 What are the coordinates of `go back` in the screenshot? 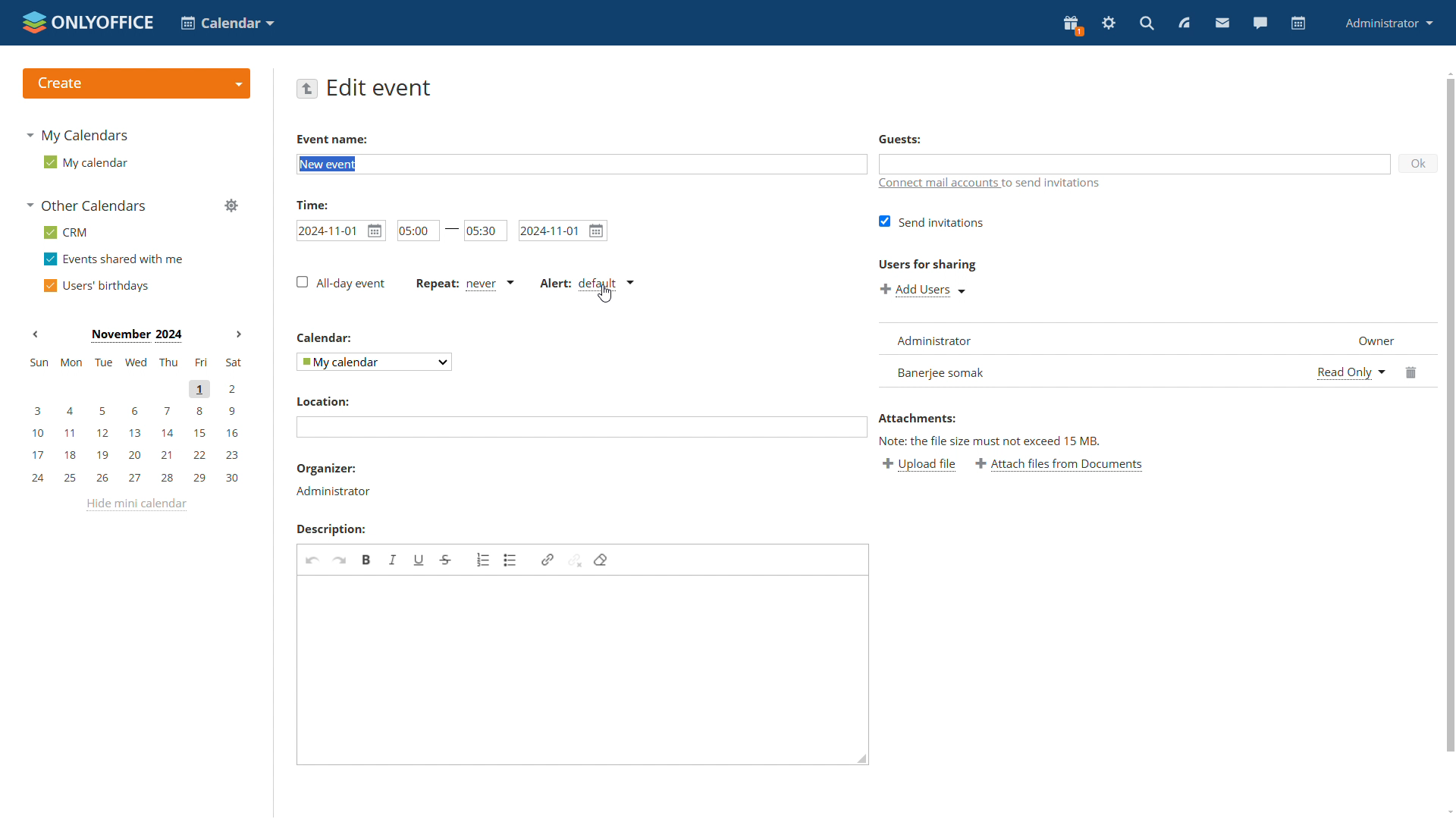 It's located at (306, 88).